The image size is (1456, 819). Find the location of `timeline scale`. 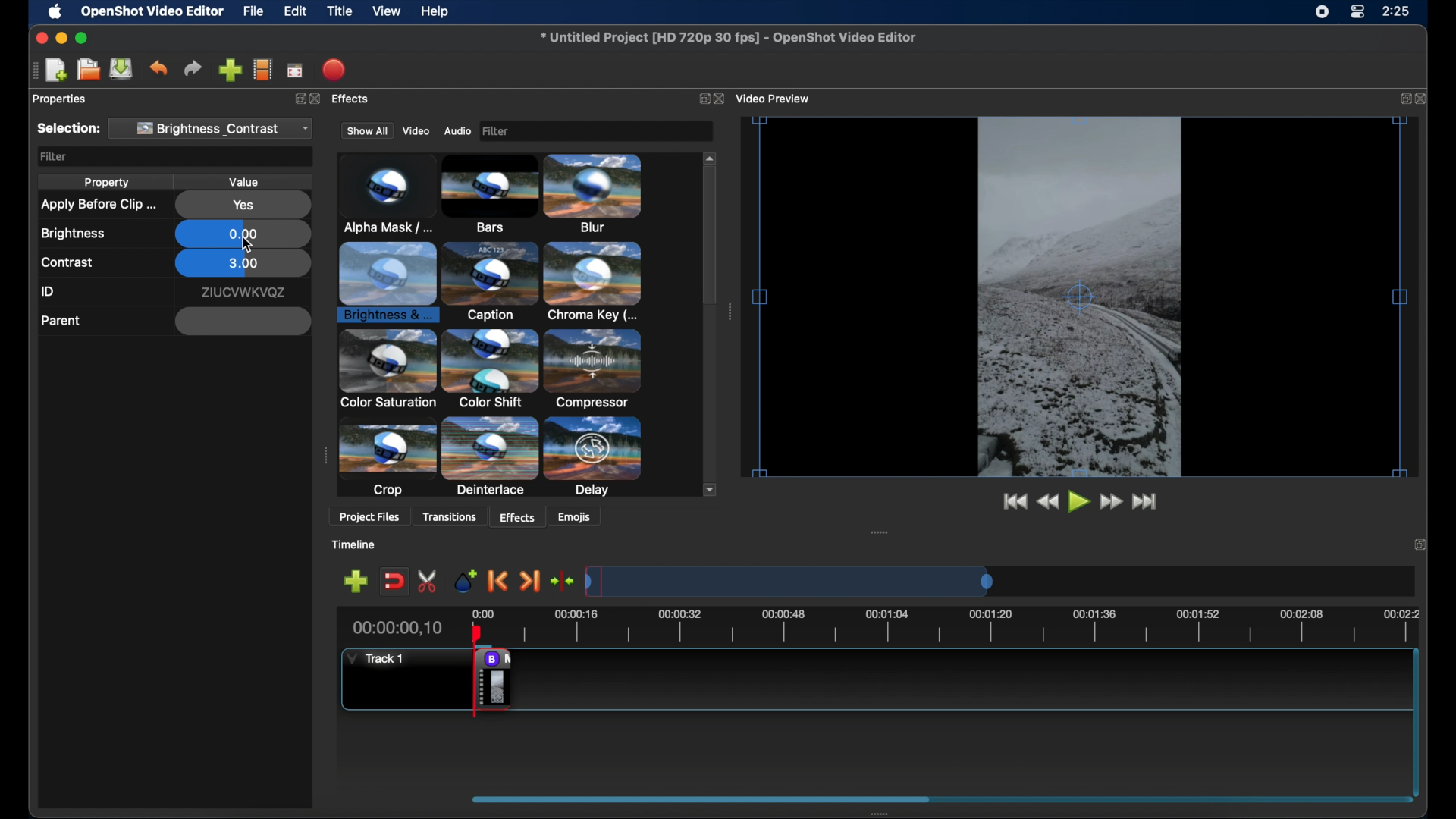

timeline scale is located at coordinates (953, 579).